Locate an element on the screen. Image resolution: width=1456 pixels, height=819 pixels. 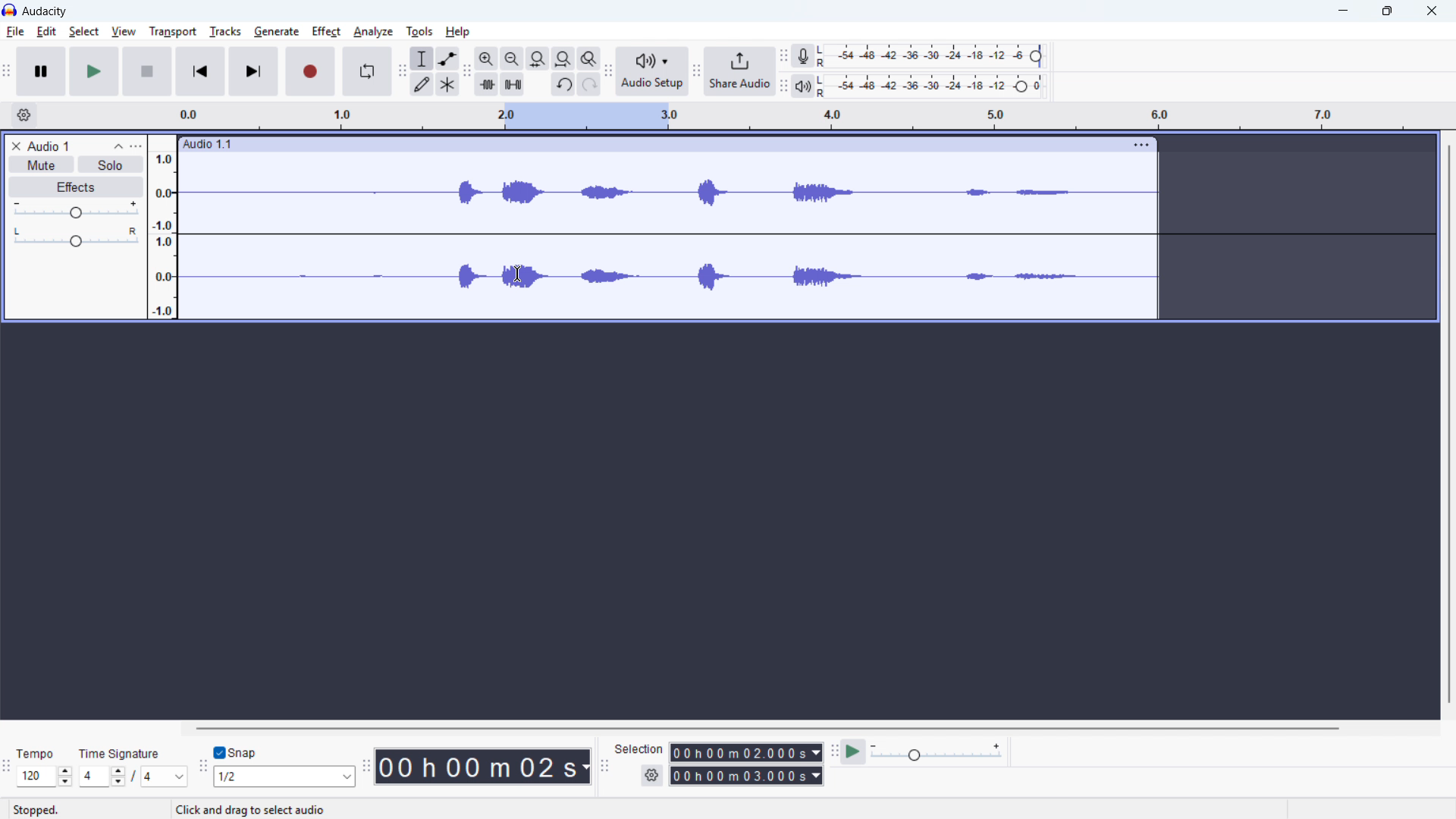
Perfect is located at coordinates (325, 30).